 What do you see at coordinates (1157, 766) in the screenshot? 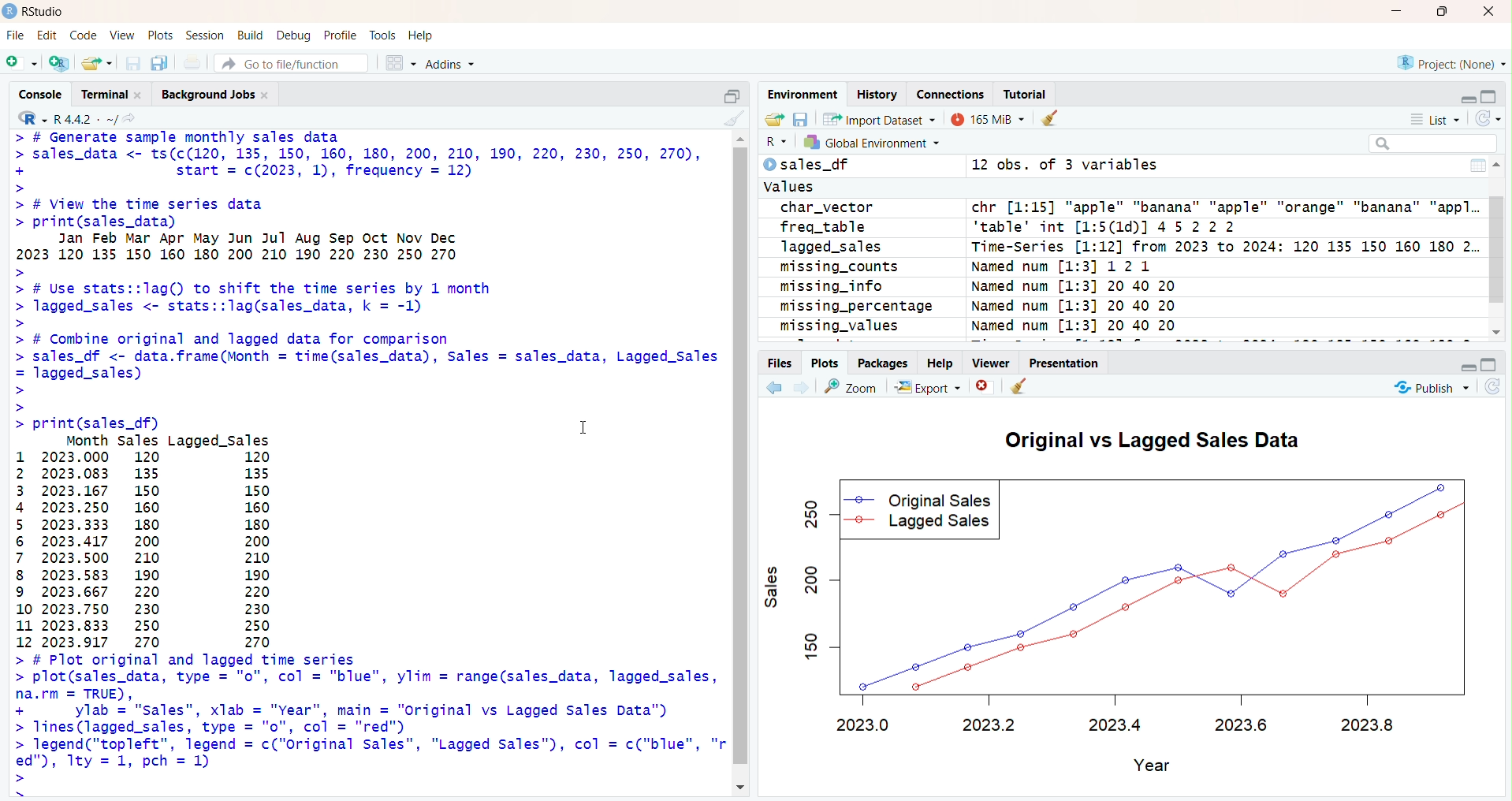
I see `Year` at bounding box center [1157, 766].